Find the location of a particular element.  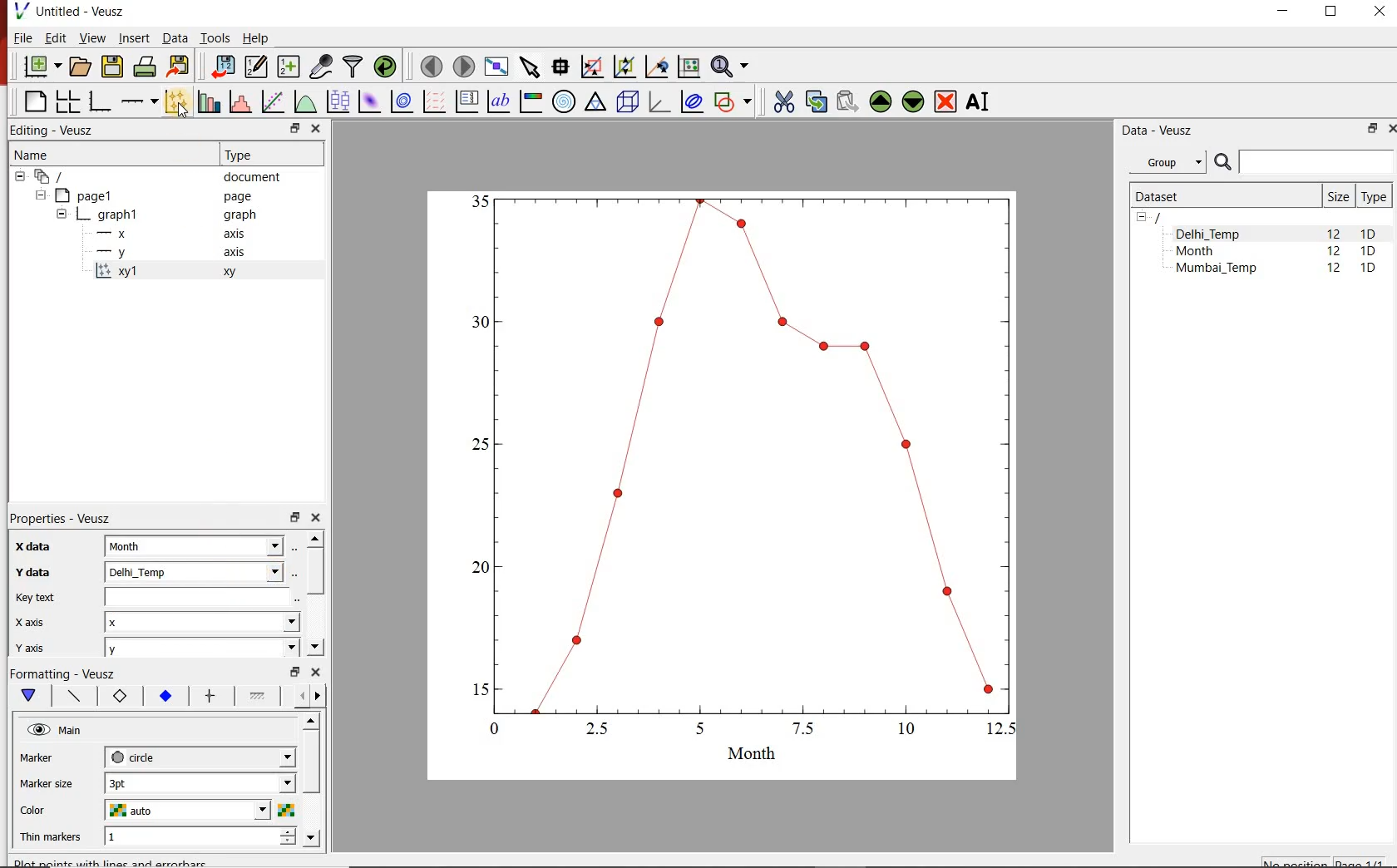

text label is located at coordinates (498, 101).